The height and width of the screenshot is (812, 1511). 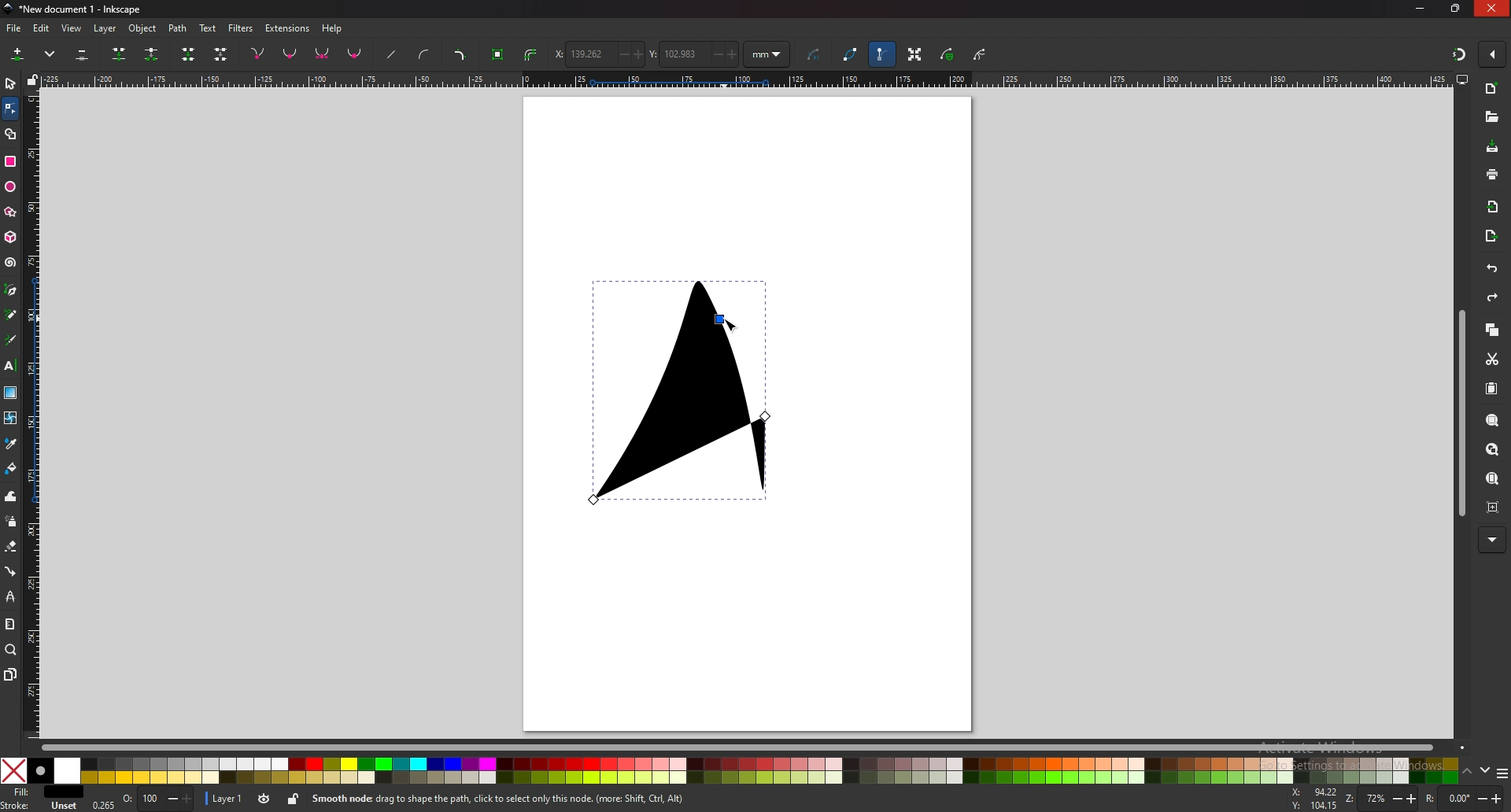 What do you see at coordinates (533, 54) in the screenshot?
I see `stroke to path` at bounding box center [533, 54].